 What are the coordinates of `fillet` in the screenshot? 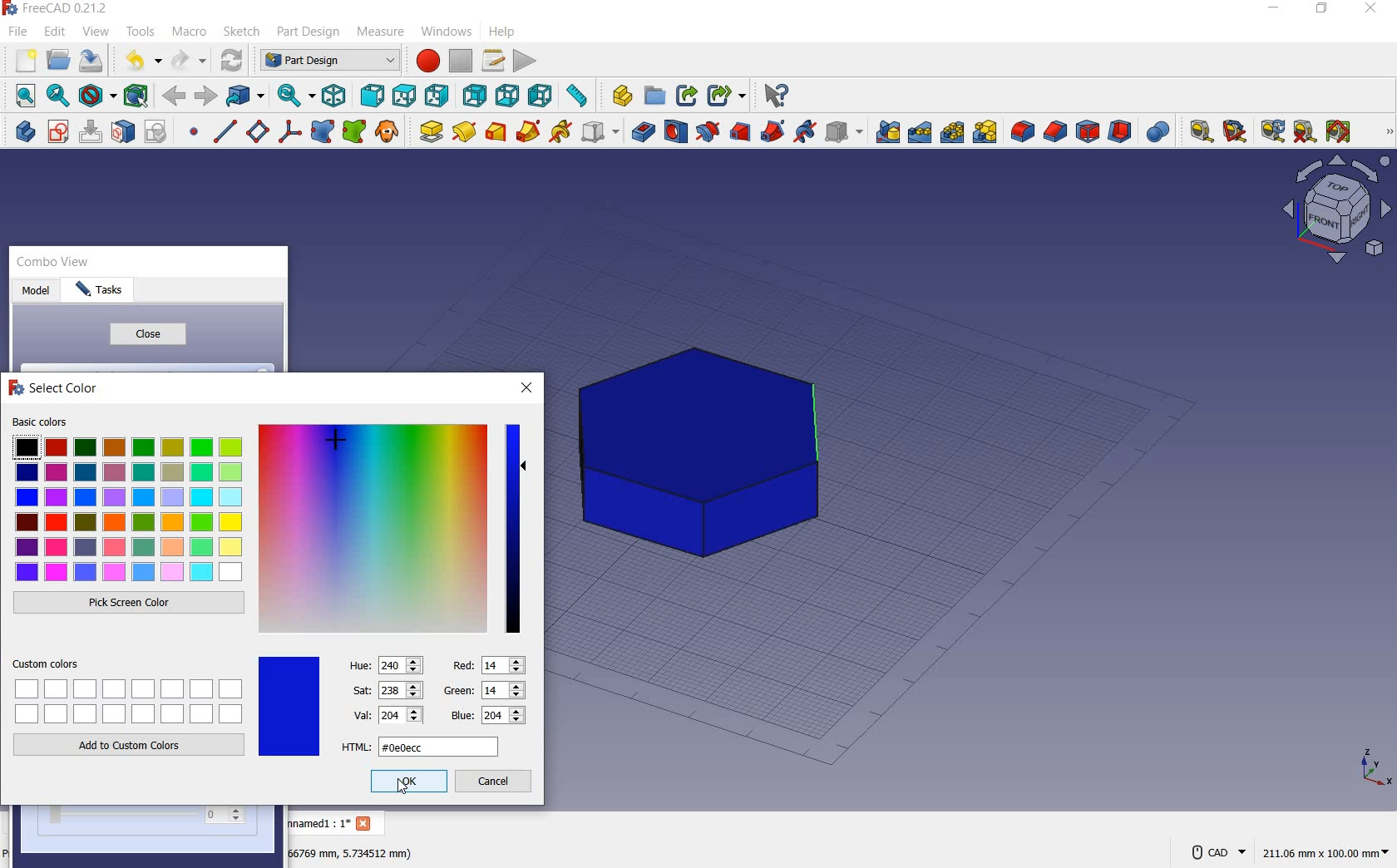 It's located at (1021, 132).